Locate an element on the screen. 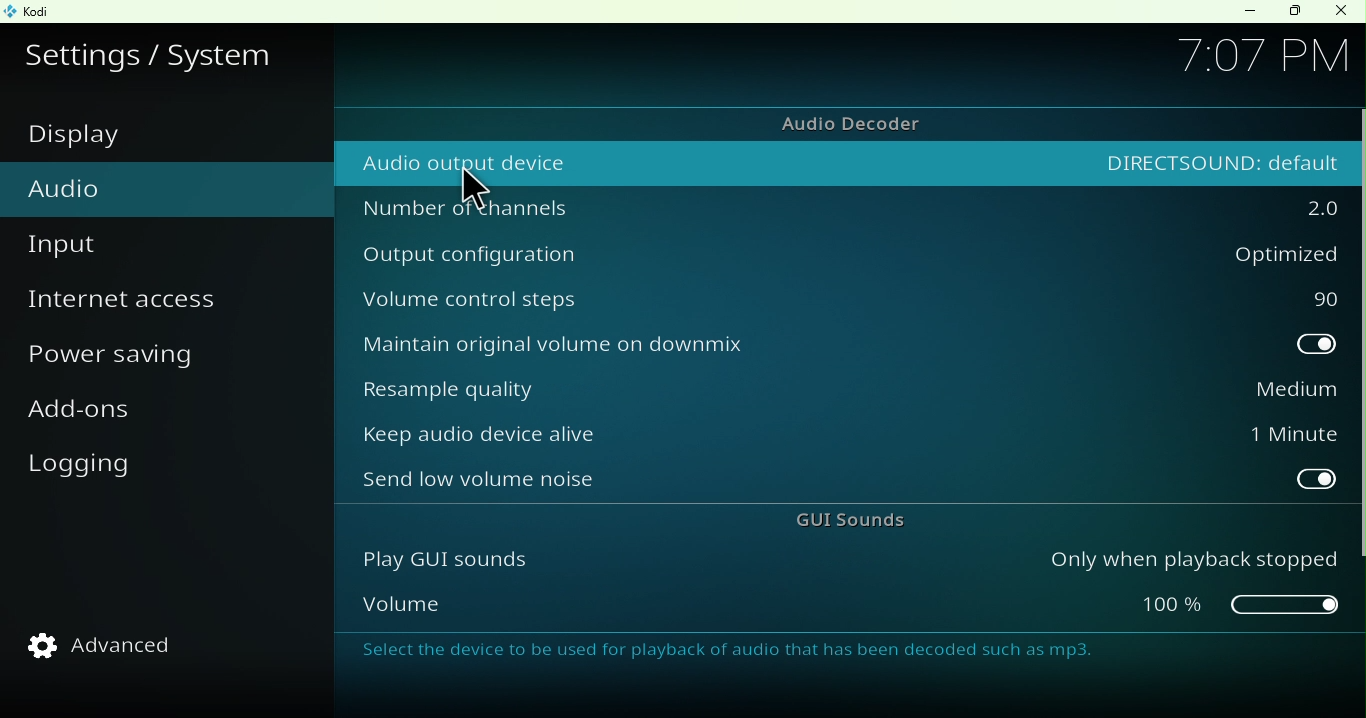  Power saving is located at coordinates (121, 356).